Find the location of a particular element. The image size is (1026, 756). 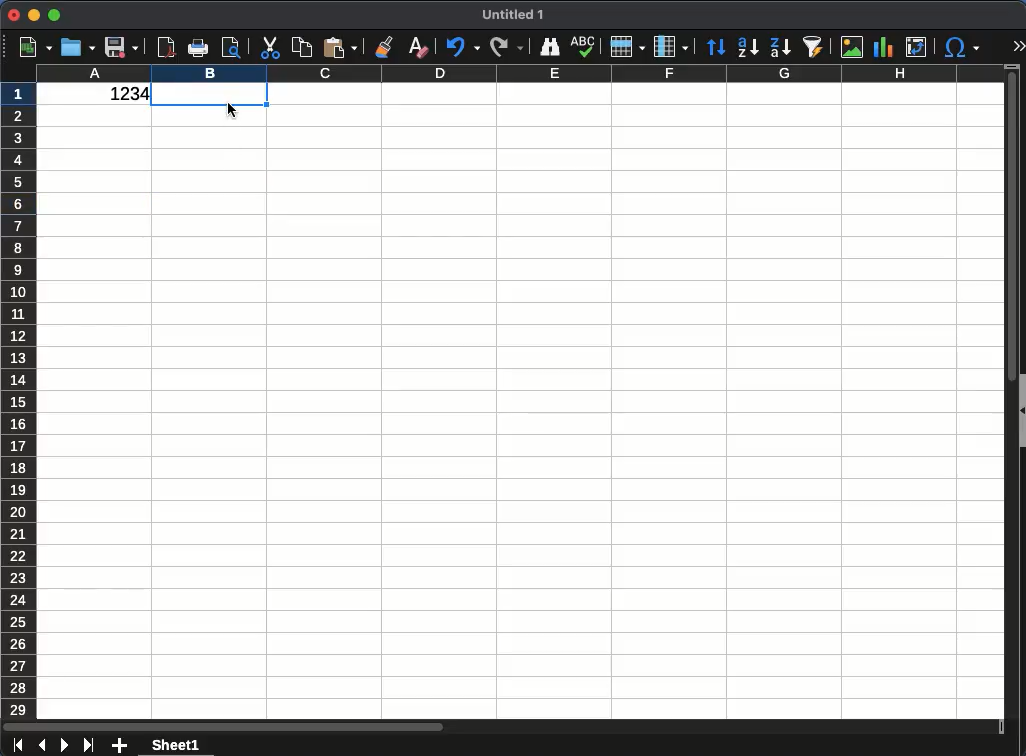

clone formatting is located at coordinates (386, 49).